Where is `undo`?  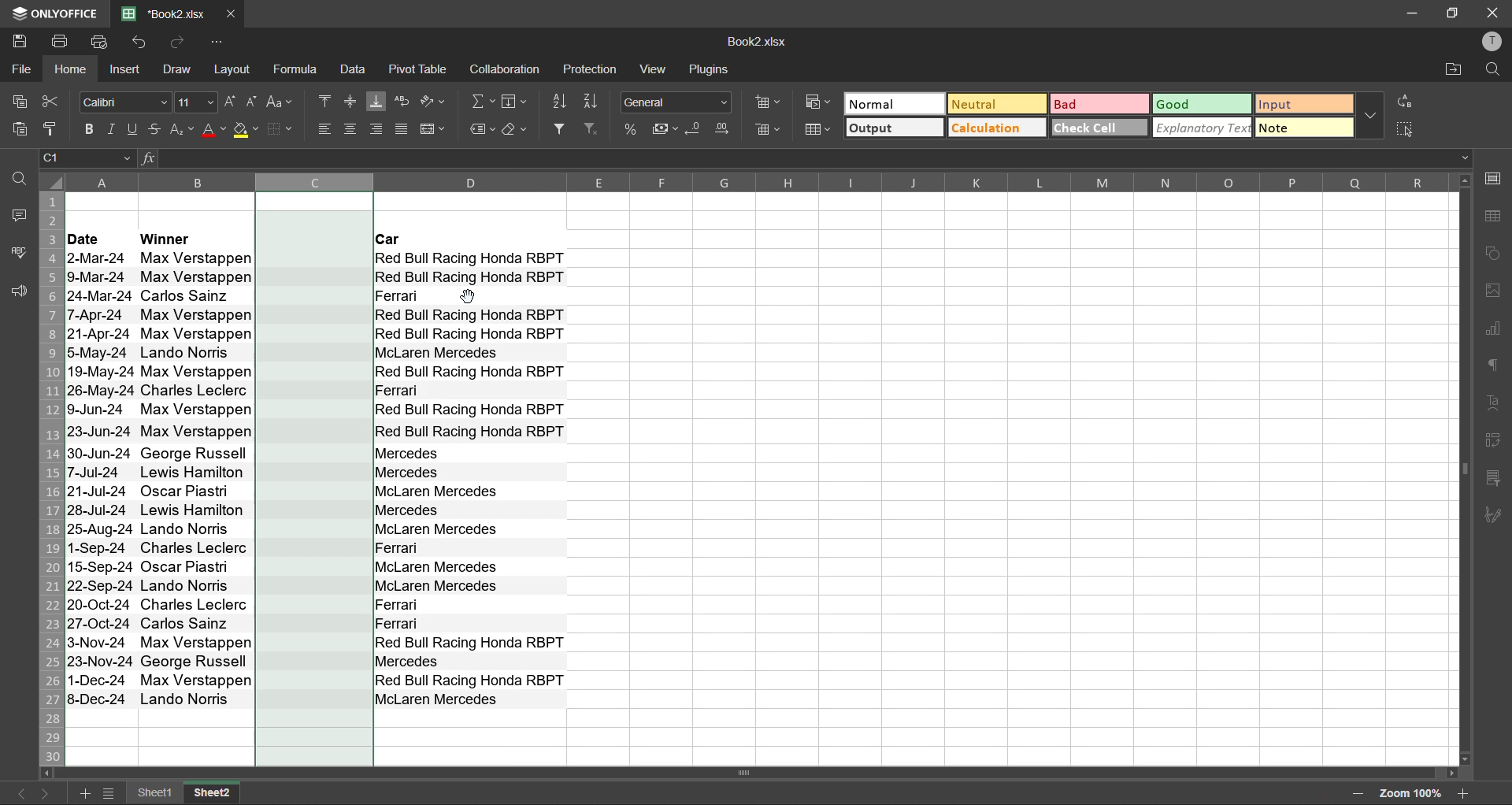 undo is located at coordinates (144, 43).